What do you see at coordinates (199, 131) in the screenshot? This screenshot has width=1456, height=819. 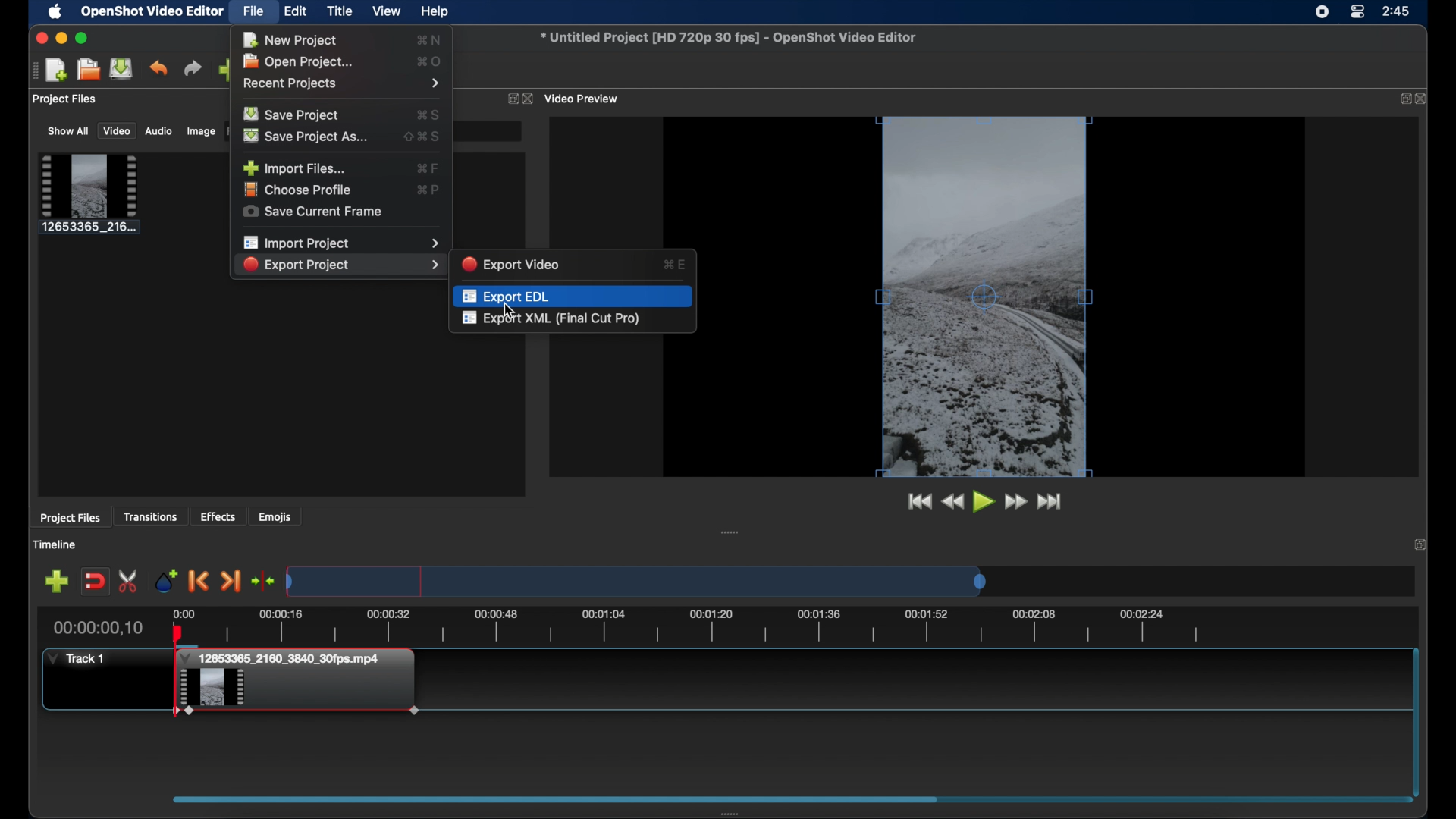 I see `image` at bounding box center [199, 131].